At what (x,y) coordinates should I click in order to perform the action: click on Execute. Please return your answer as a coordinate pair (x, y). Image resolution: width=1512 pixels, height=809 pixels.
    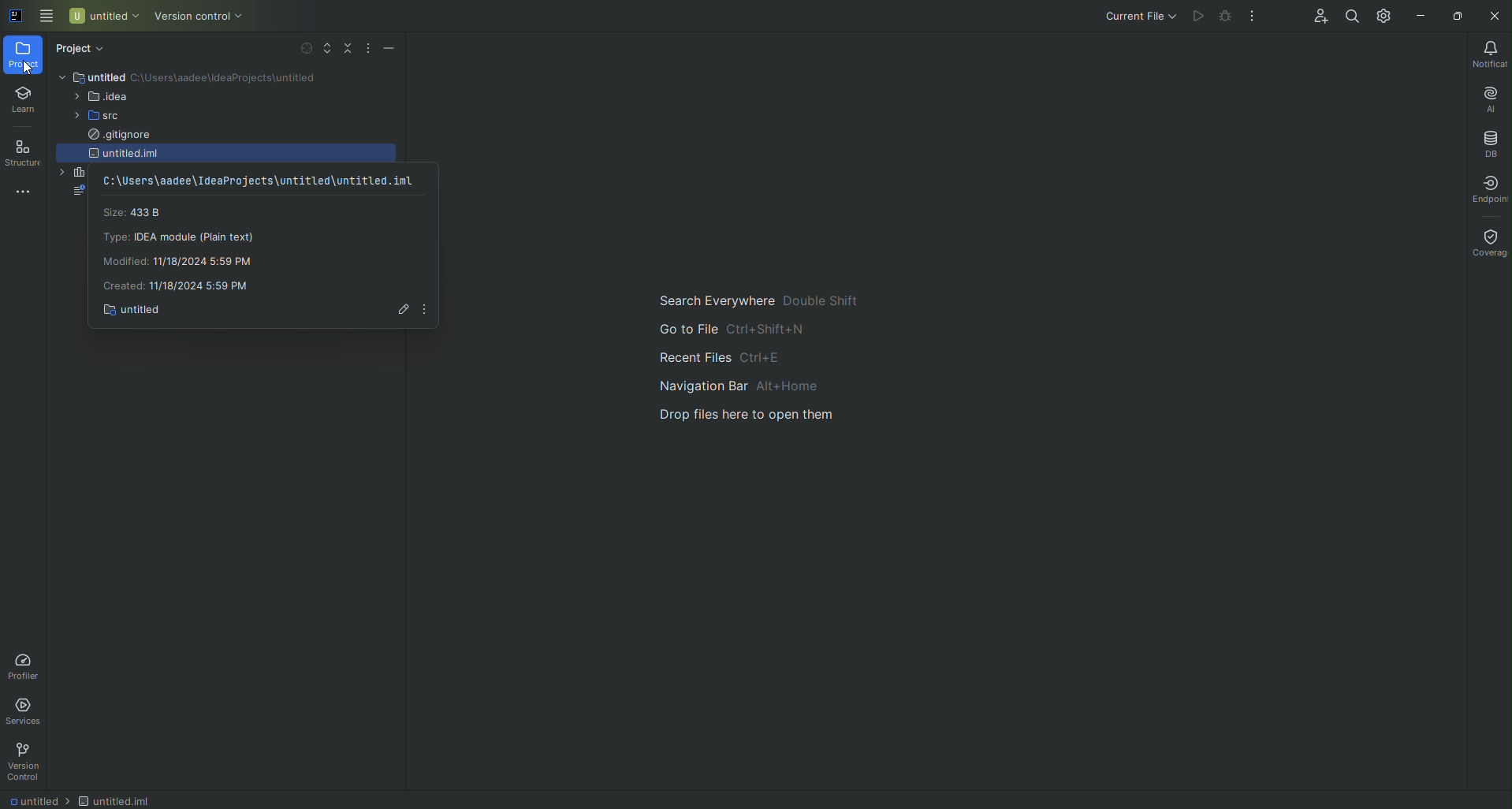
    Looking at the image, I should click on (1197, 17).